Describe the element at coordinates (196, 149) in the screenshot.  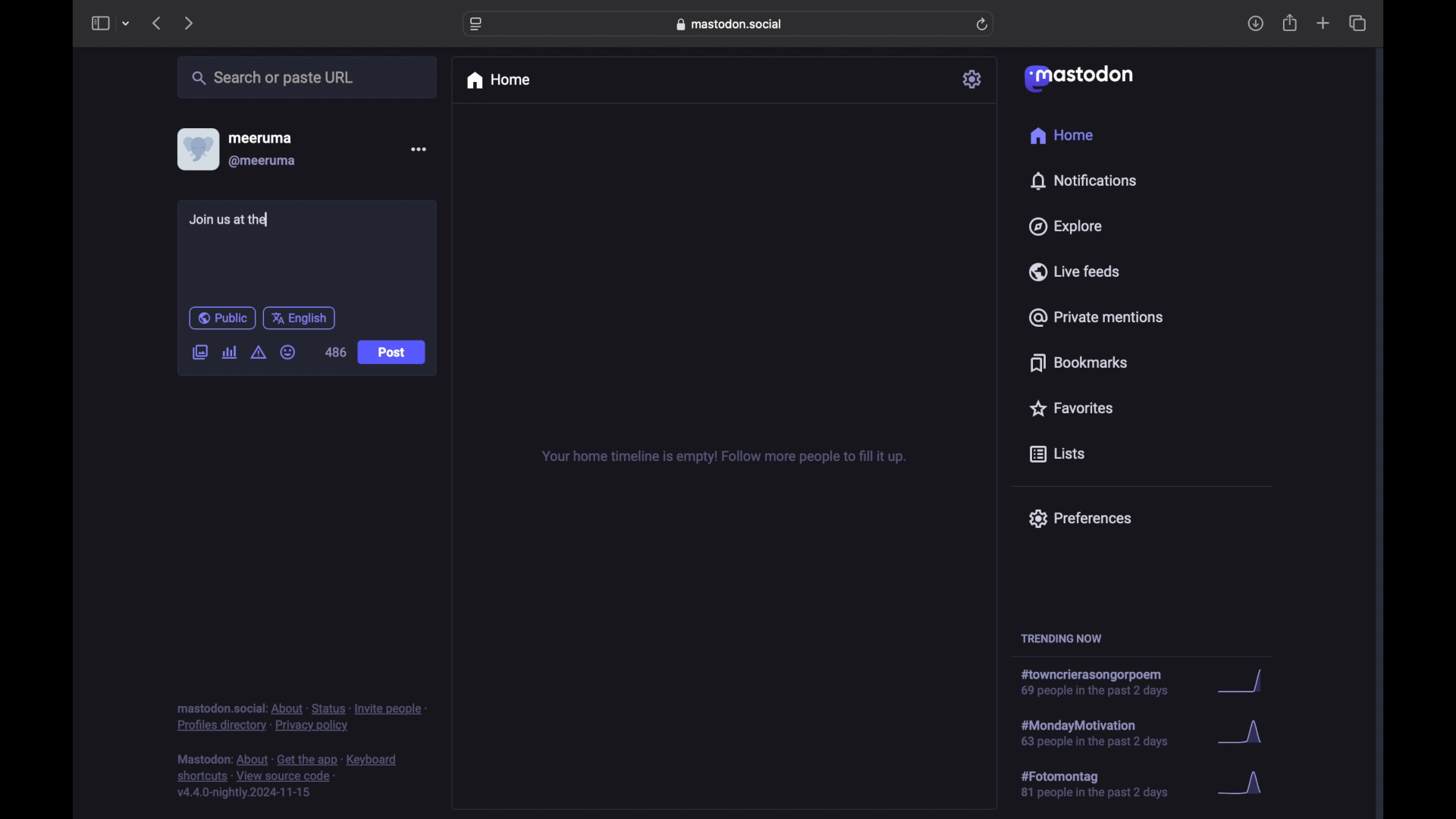
I see `display picture` at that location.